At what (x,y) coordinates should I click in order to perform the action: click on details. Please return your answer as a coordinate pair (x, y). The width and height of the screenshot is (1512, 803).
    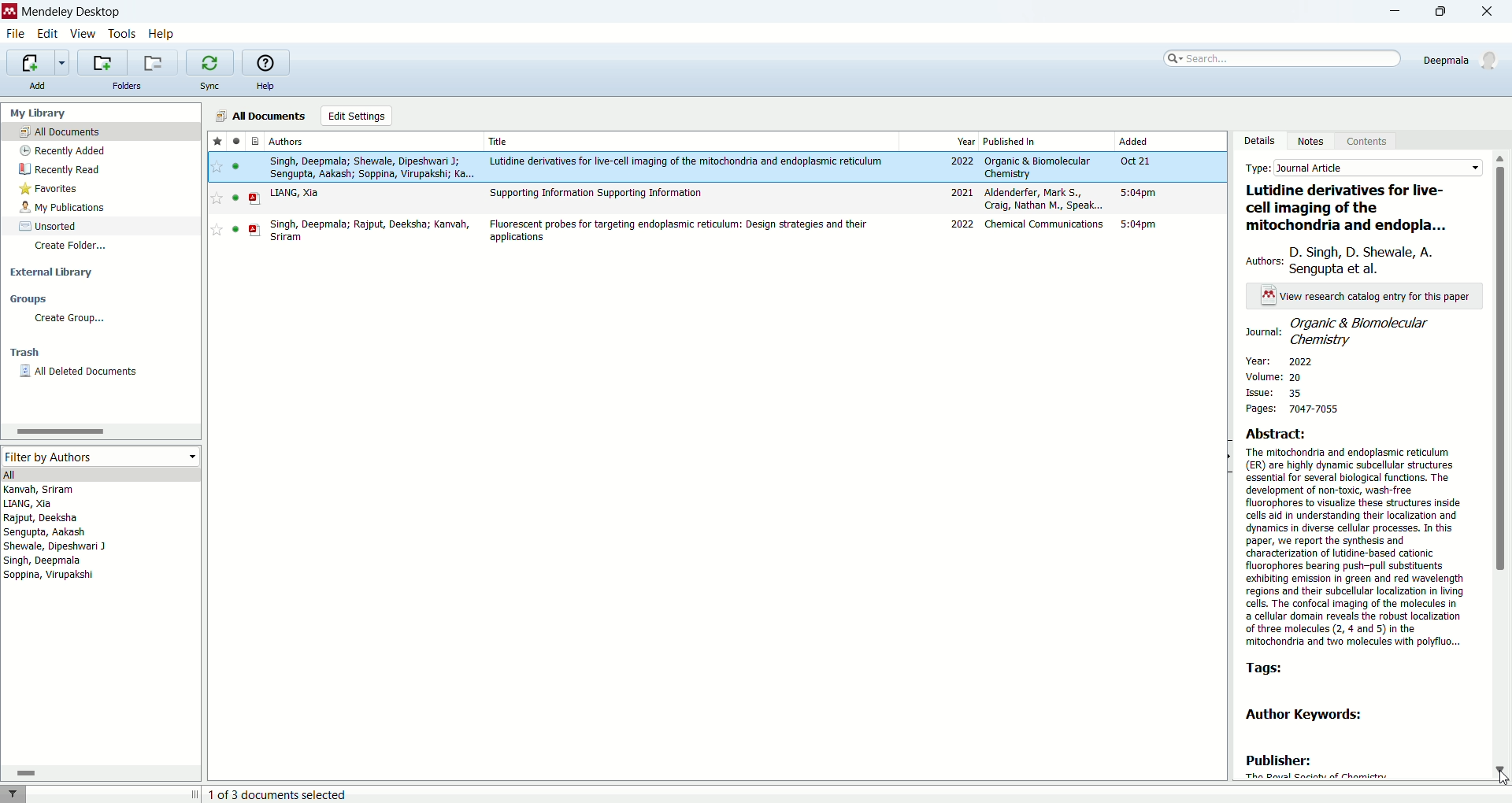
    Looking at the image, I should click on (1258, 141).